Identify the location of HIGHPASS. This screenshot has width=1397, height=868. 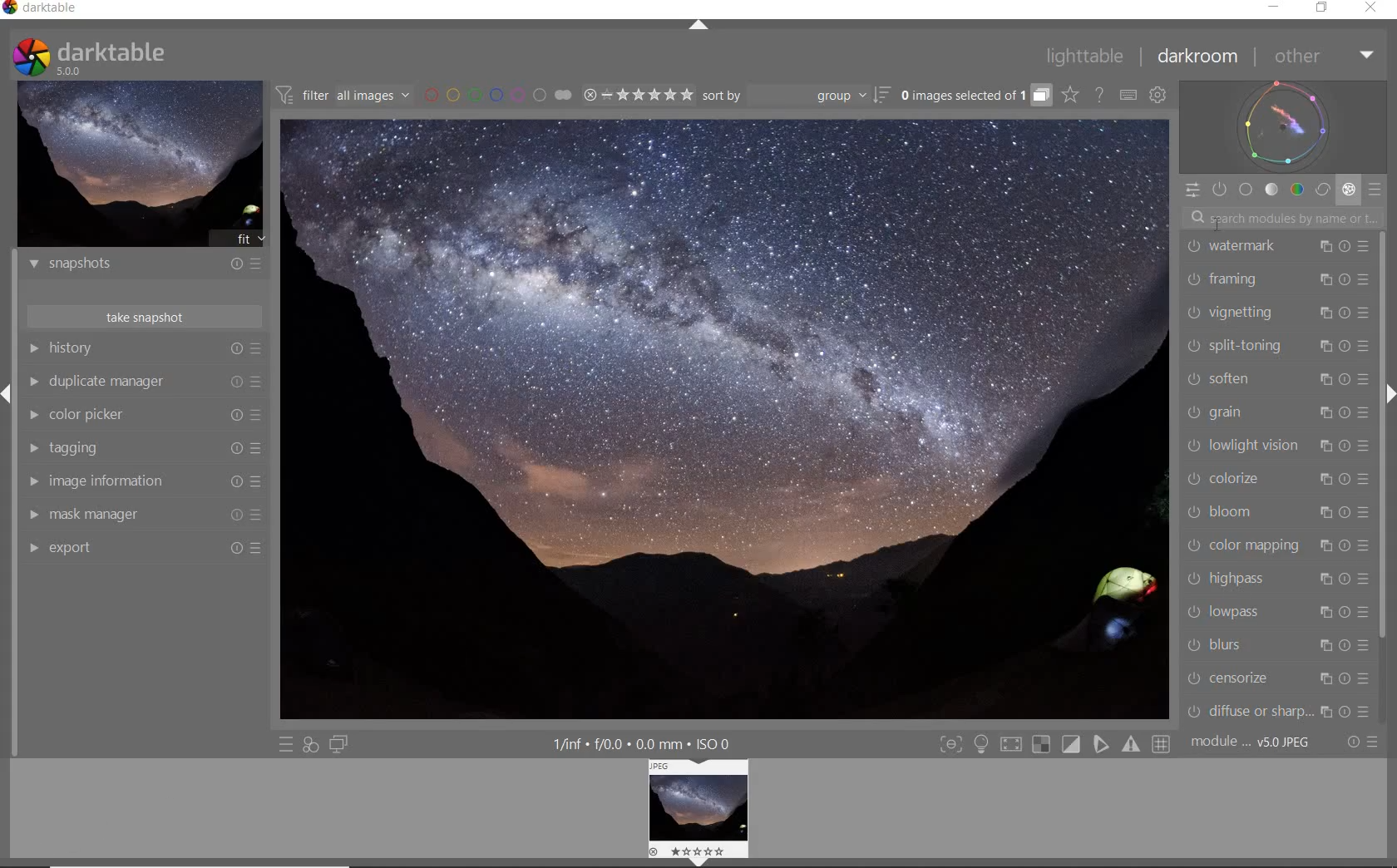
(1226, 579).